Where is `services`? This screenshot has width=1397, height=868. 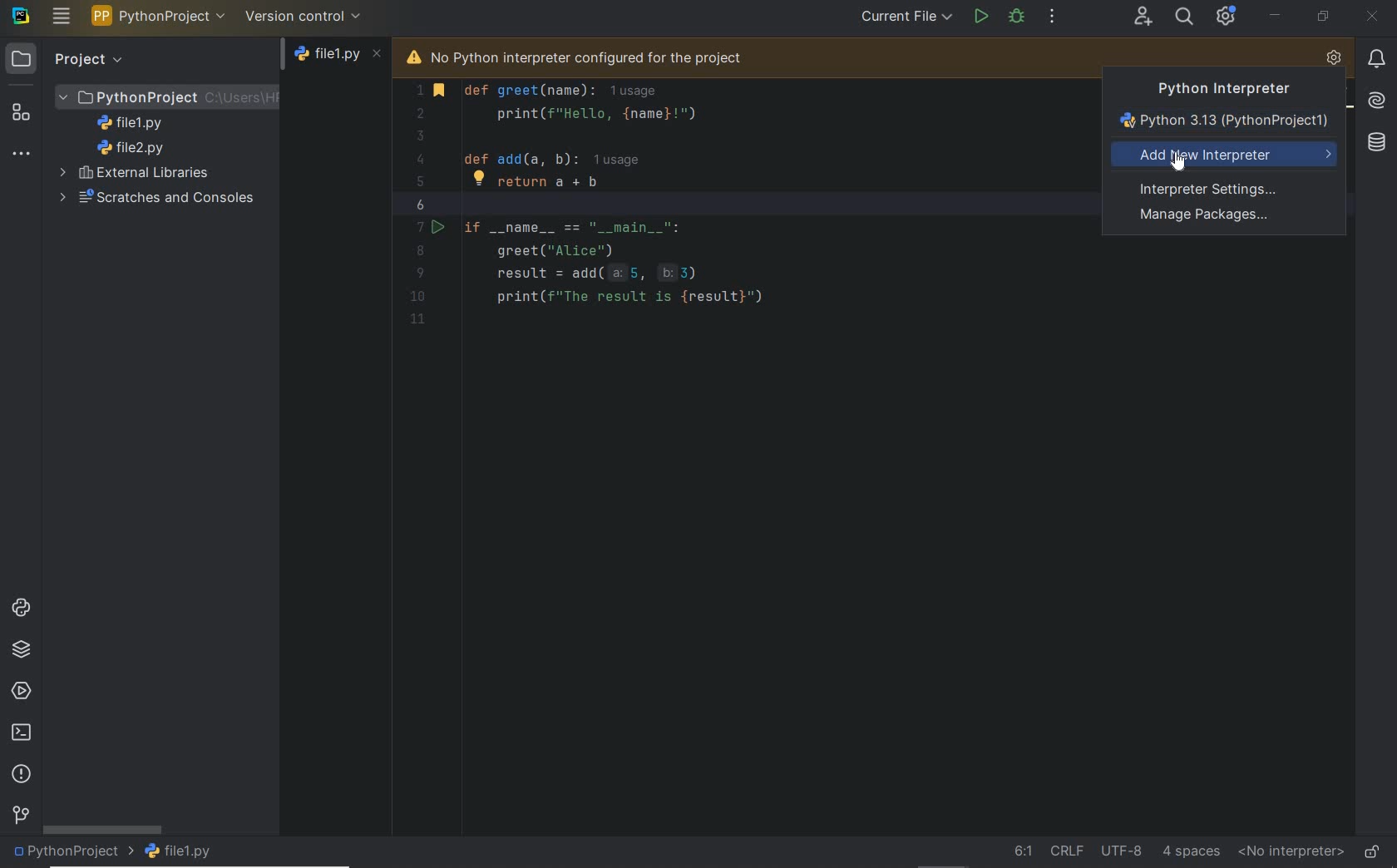
services is located at coordinates (22, 693).